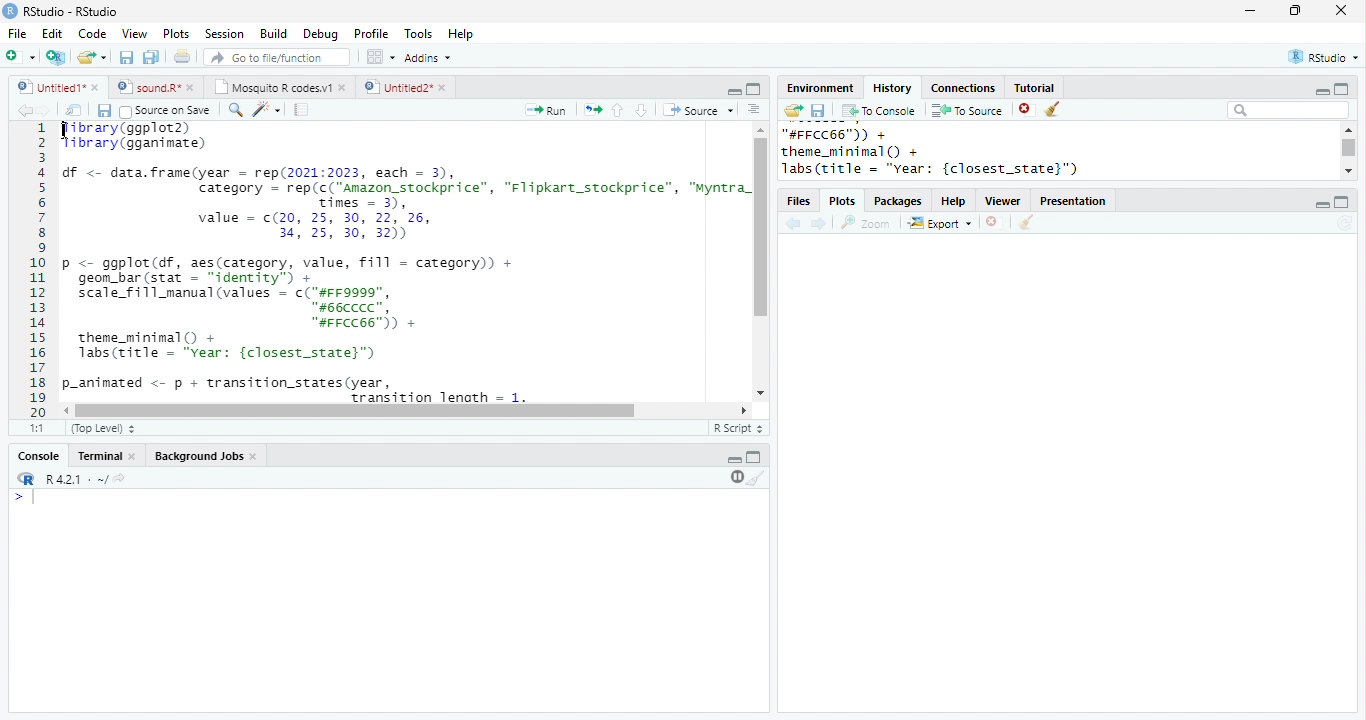 Image resolution: width=1366 pixels, height=720 pixels. What do you see at coordinates (372, 34) in the screenshot?
I see `Profile` at bounding box center [372, 34].